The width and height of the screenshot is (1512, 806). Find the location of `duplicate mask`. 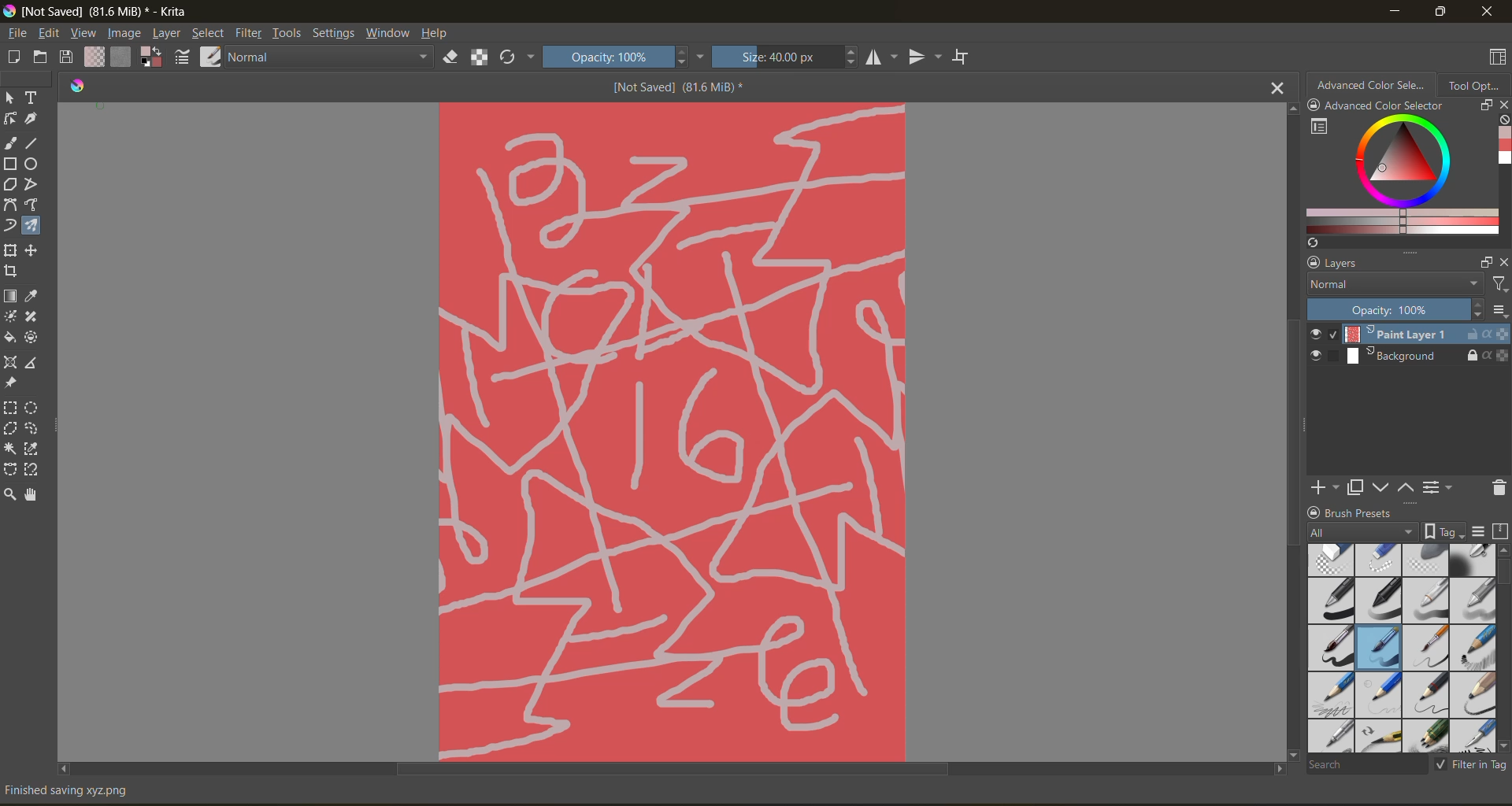

duplicate mask is located at coordinates (1355, 488).